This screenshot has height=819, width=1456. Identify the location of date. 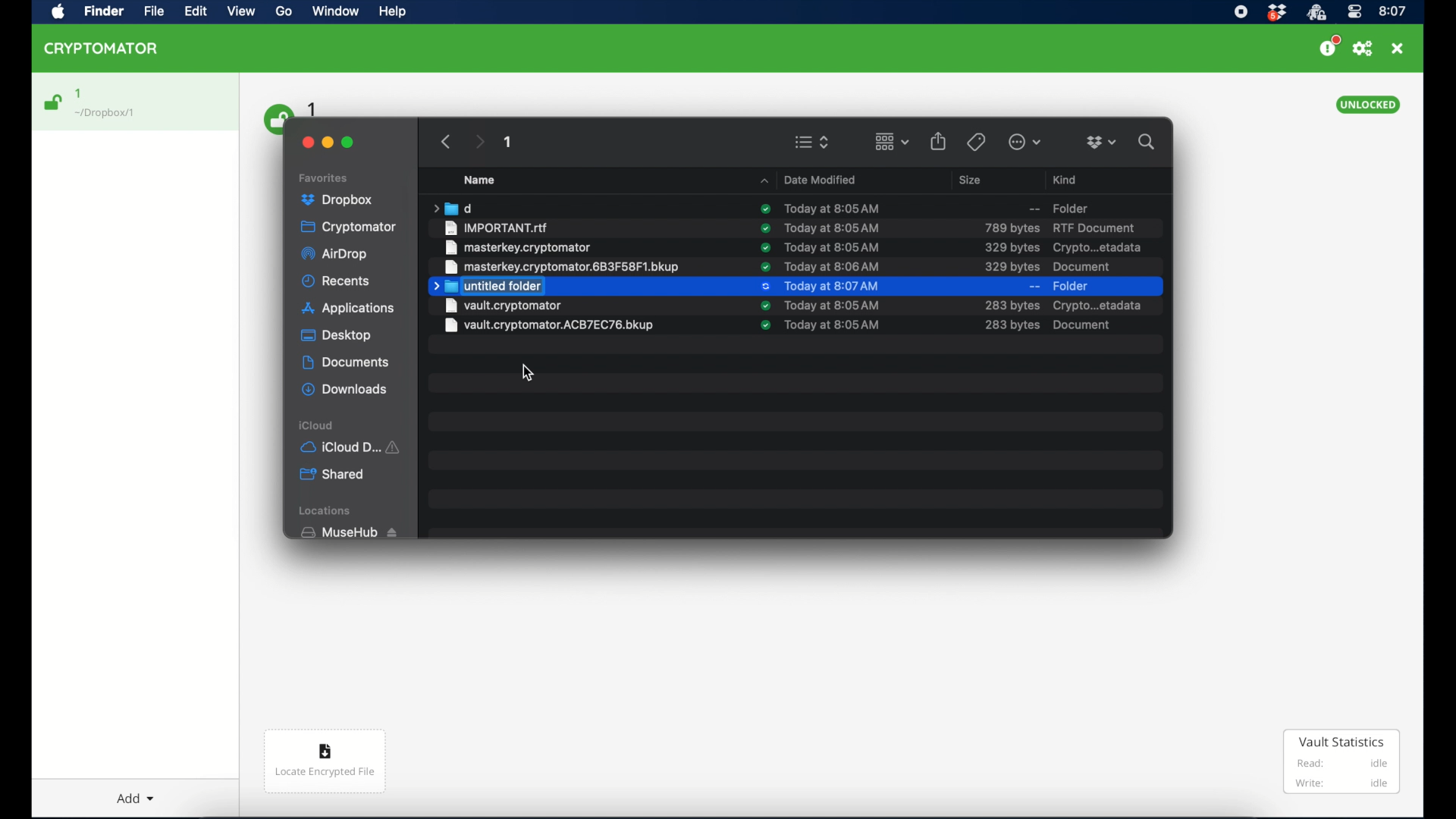
(838, 266).